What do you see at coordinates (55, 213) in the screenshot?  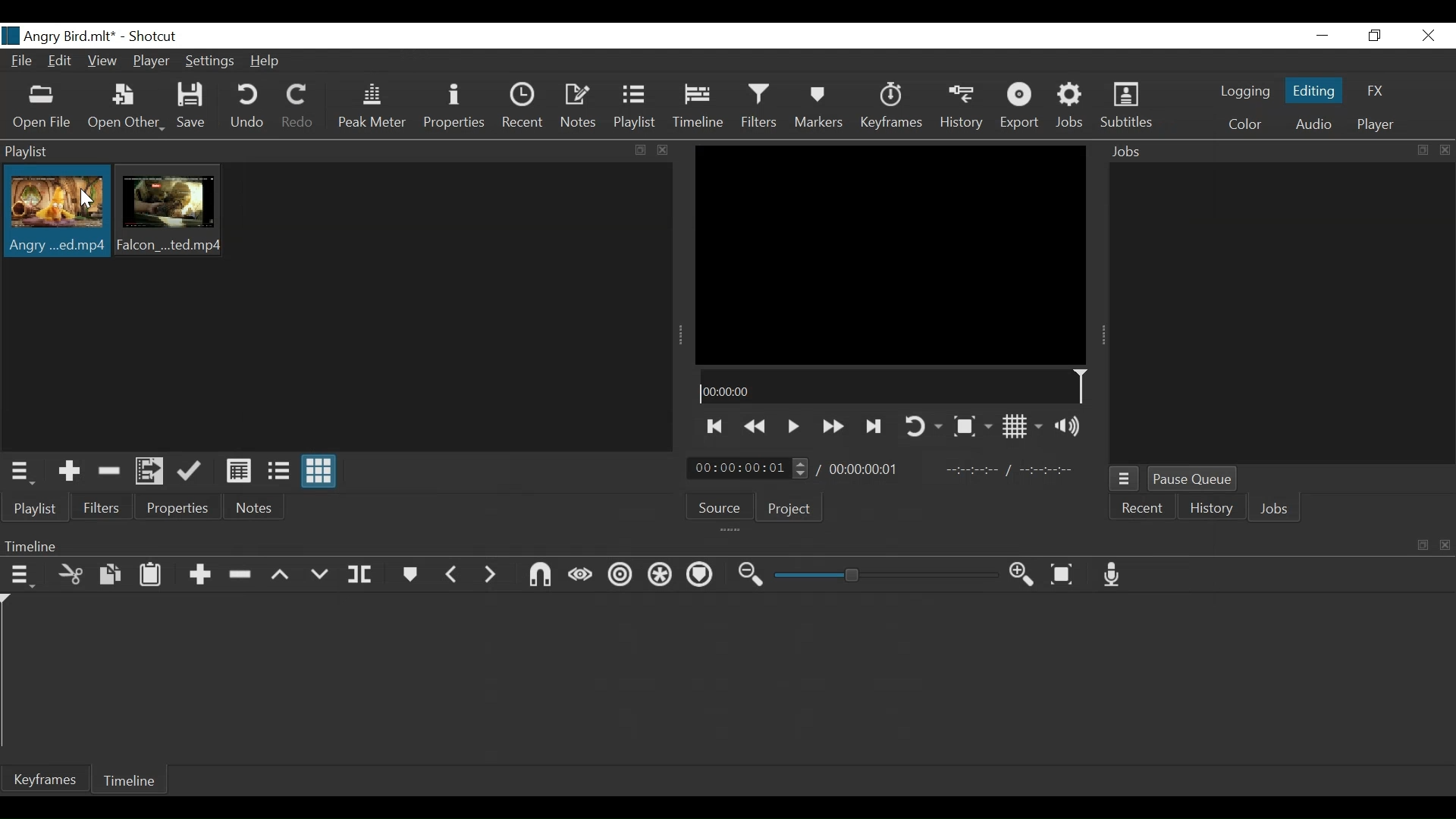 I see `Clip` at bounding box center [55, 213].